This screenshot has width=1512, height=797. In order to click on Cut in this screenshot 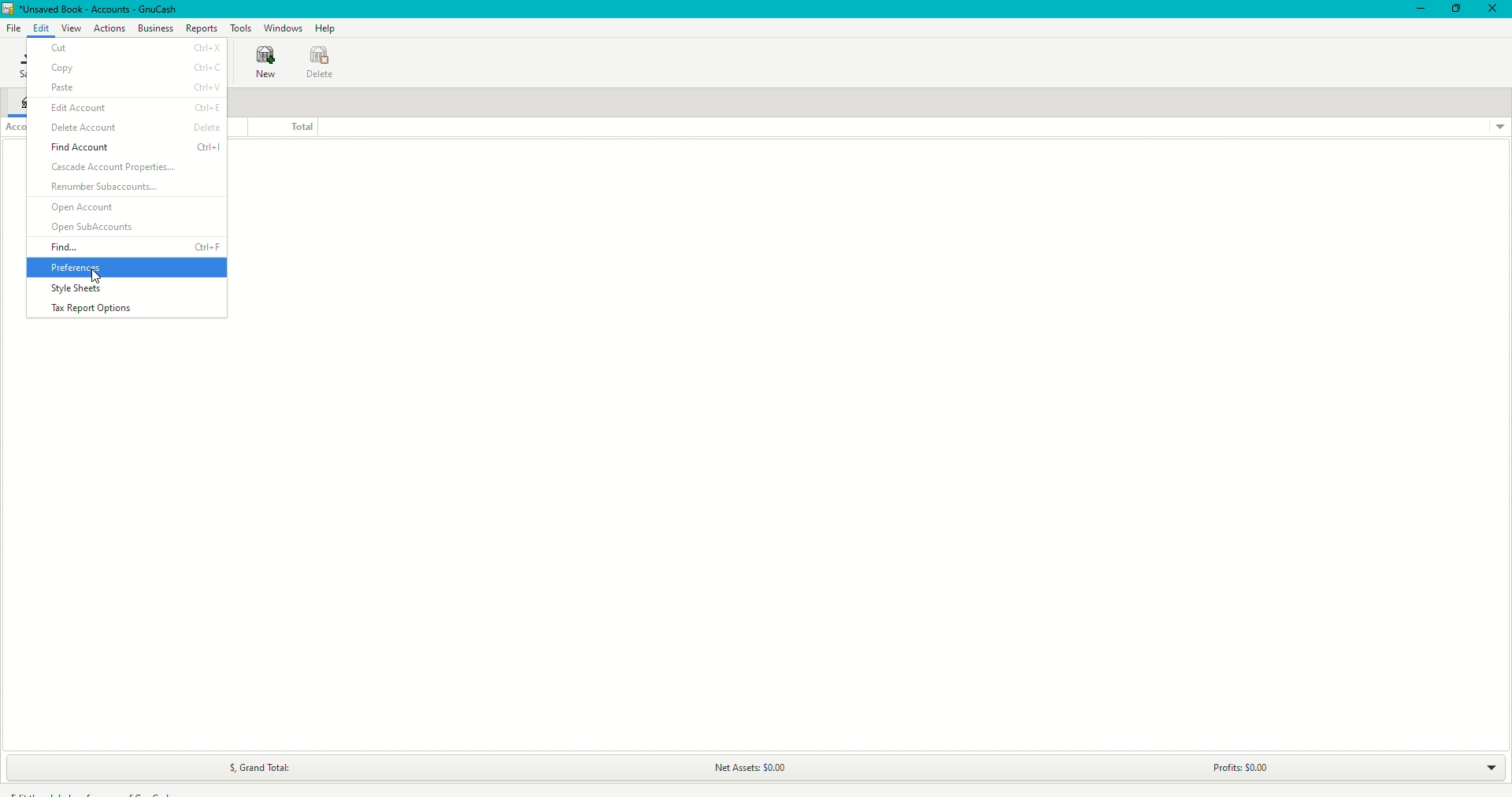, I will do `click(132, 48)`.